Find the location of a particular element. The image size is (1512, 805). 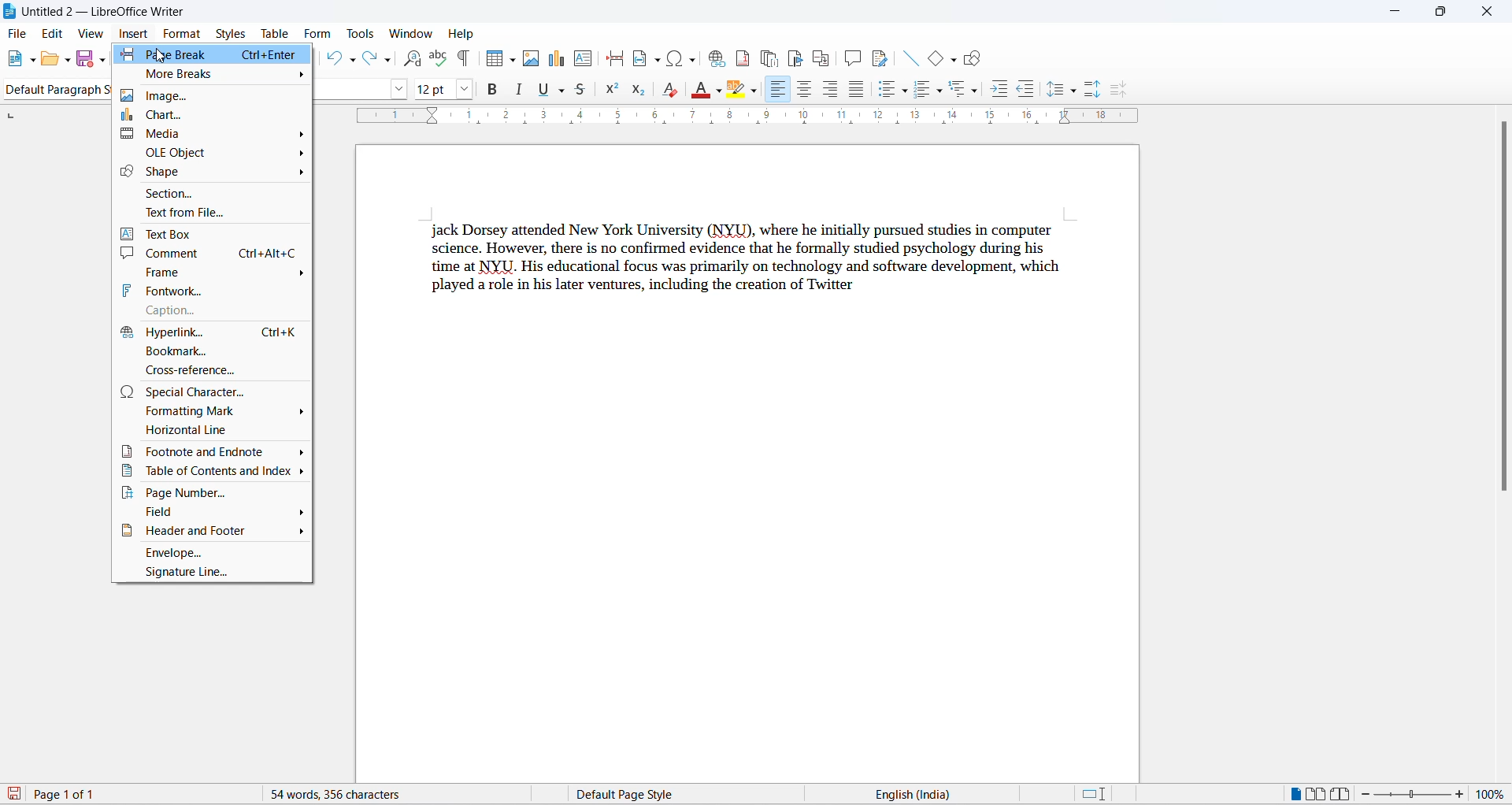

media is located at coordinates (213, 135).